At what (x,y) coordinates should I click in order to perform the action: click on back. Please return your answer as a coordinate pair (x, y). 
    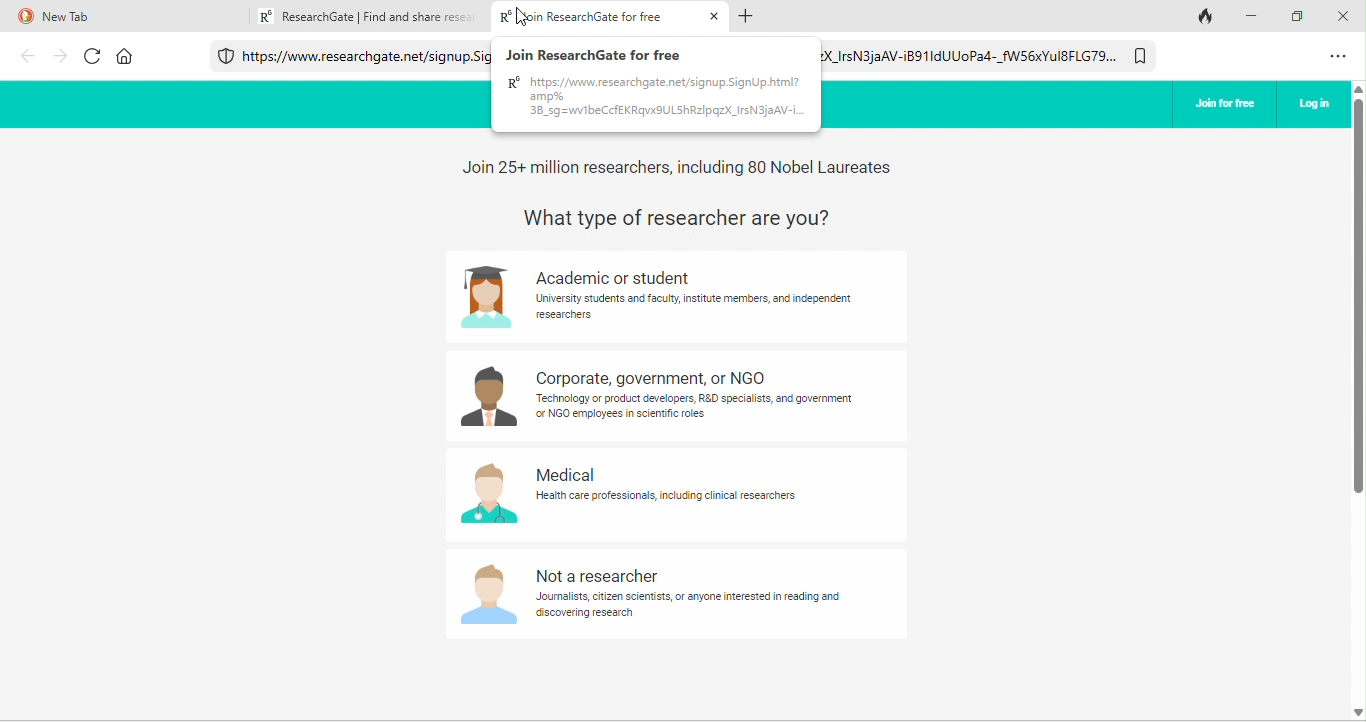
    Looking at the image, I should click on (28, 54).